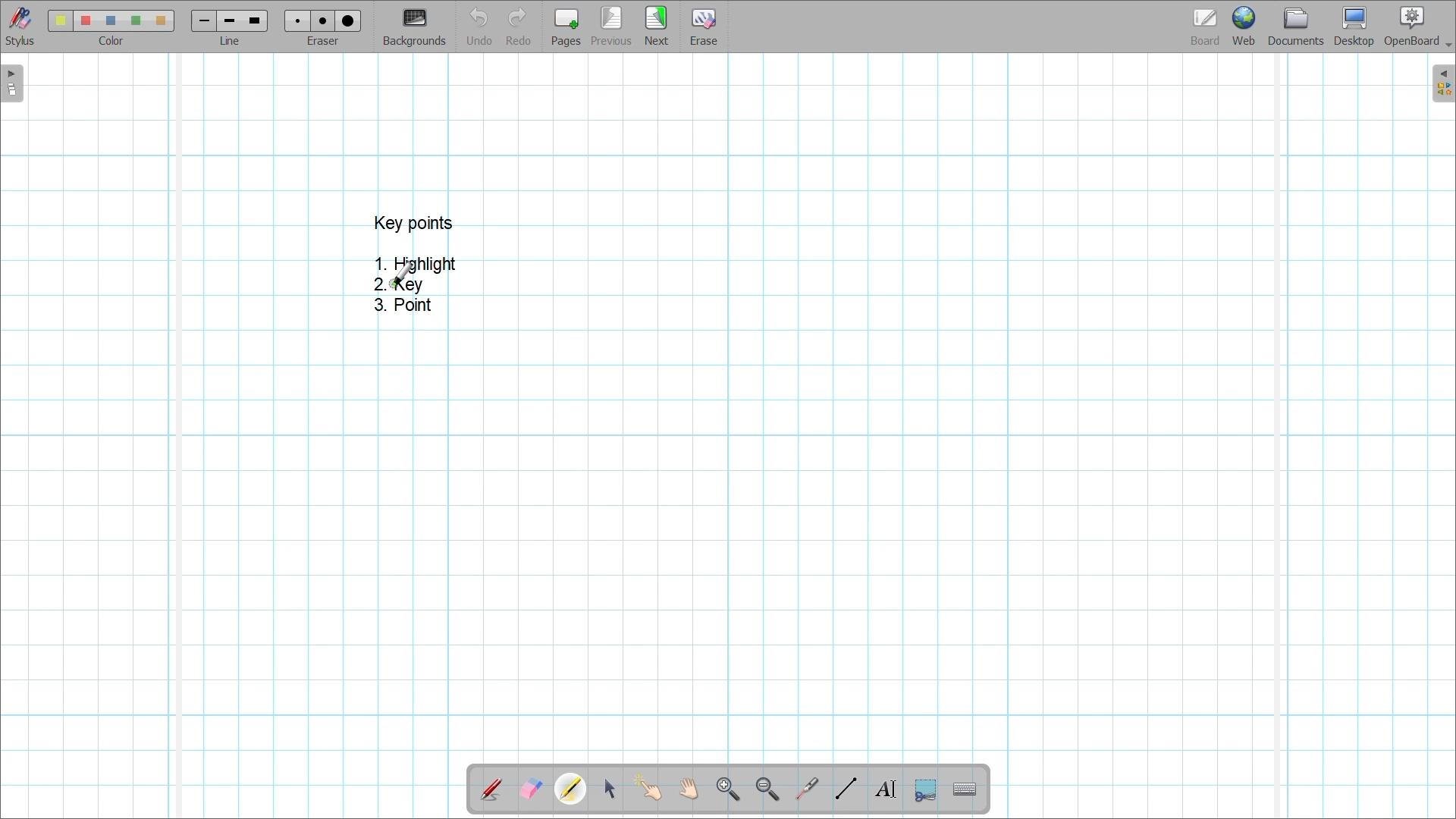 The width and height of the screenshot is (1456, 819). I want to click on Undo, so click(480, 26).